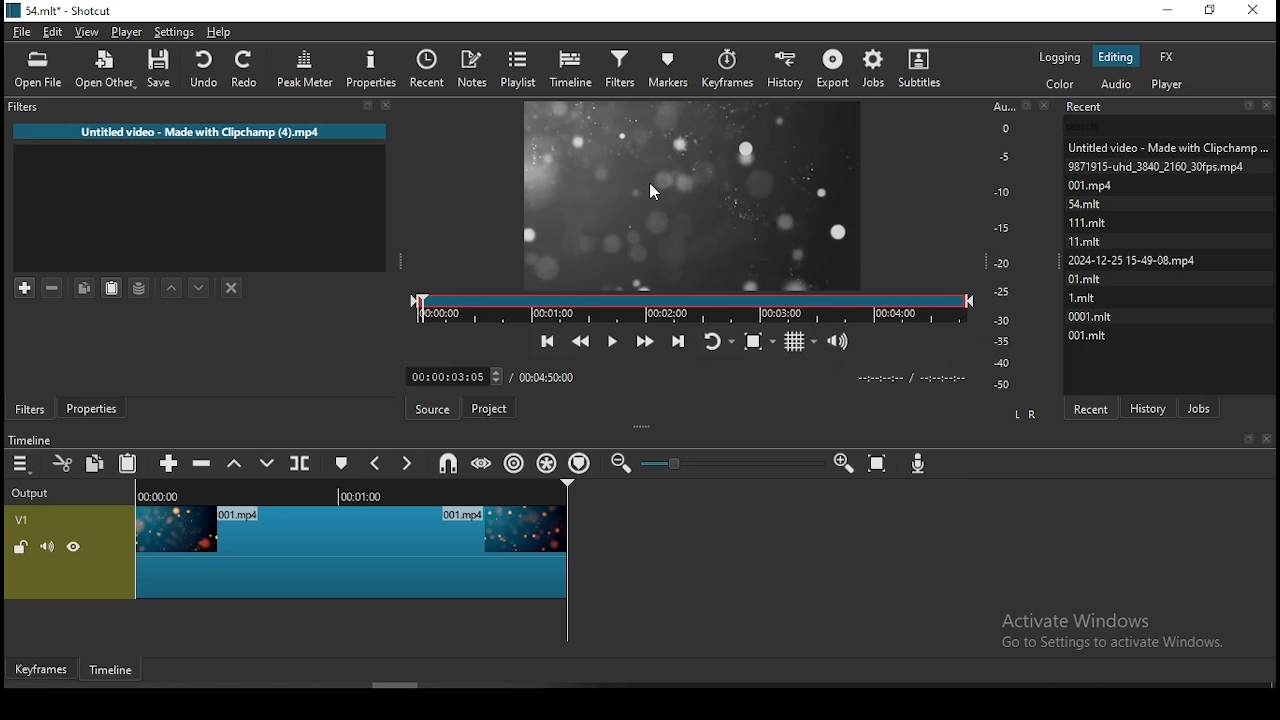 The width and height of the screenshot is (1280, 720). I want to click on Untitled video - Made with Clipchamp (4).mp4, so click(203, 129).